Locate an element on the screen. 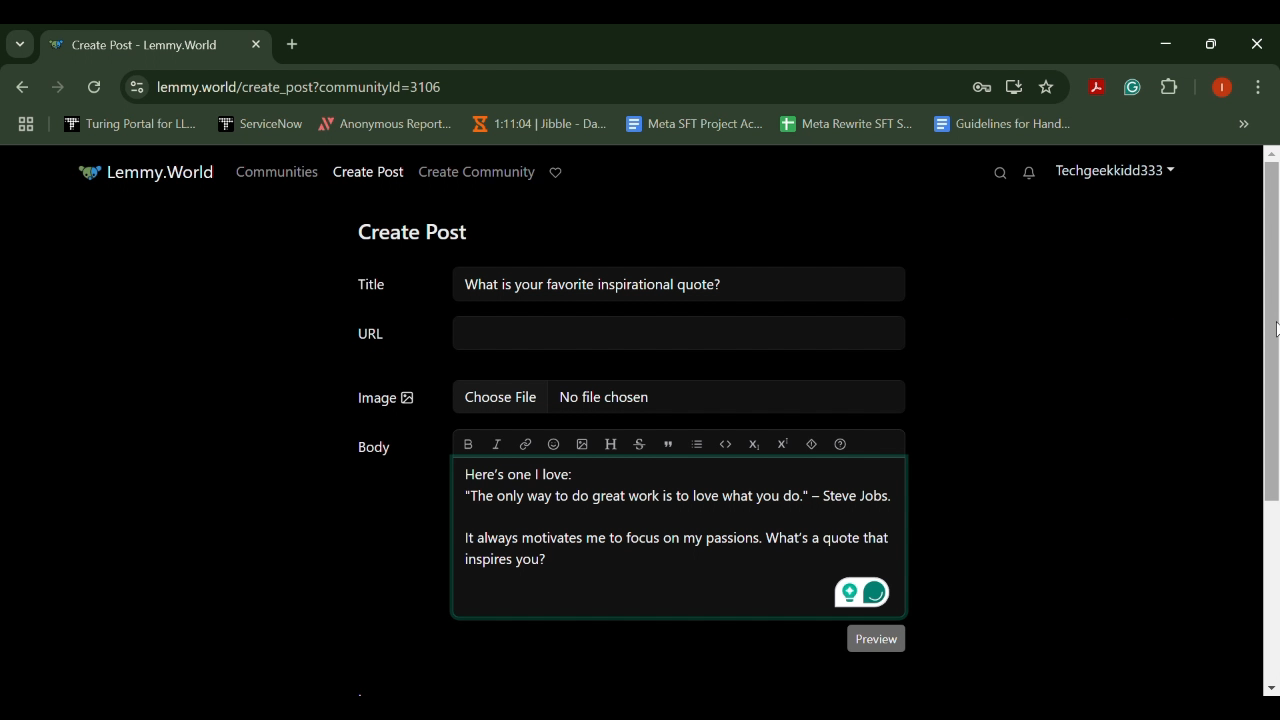 Image resolution: width=1280 pixels, height=720 pixels. Browser Profile  is located at coordinates (1222, 89).